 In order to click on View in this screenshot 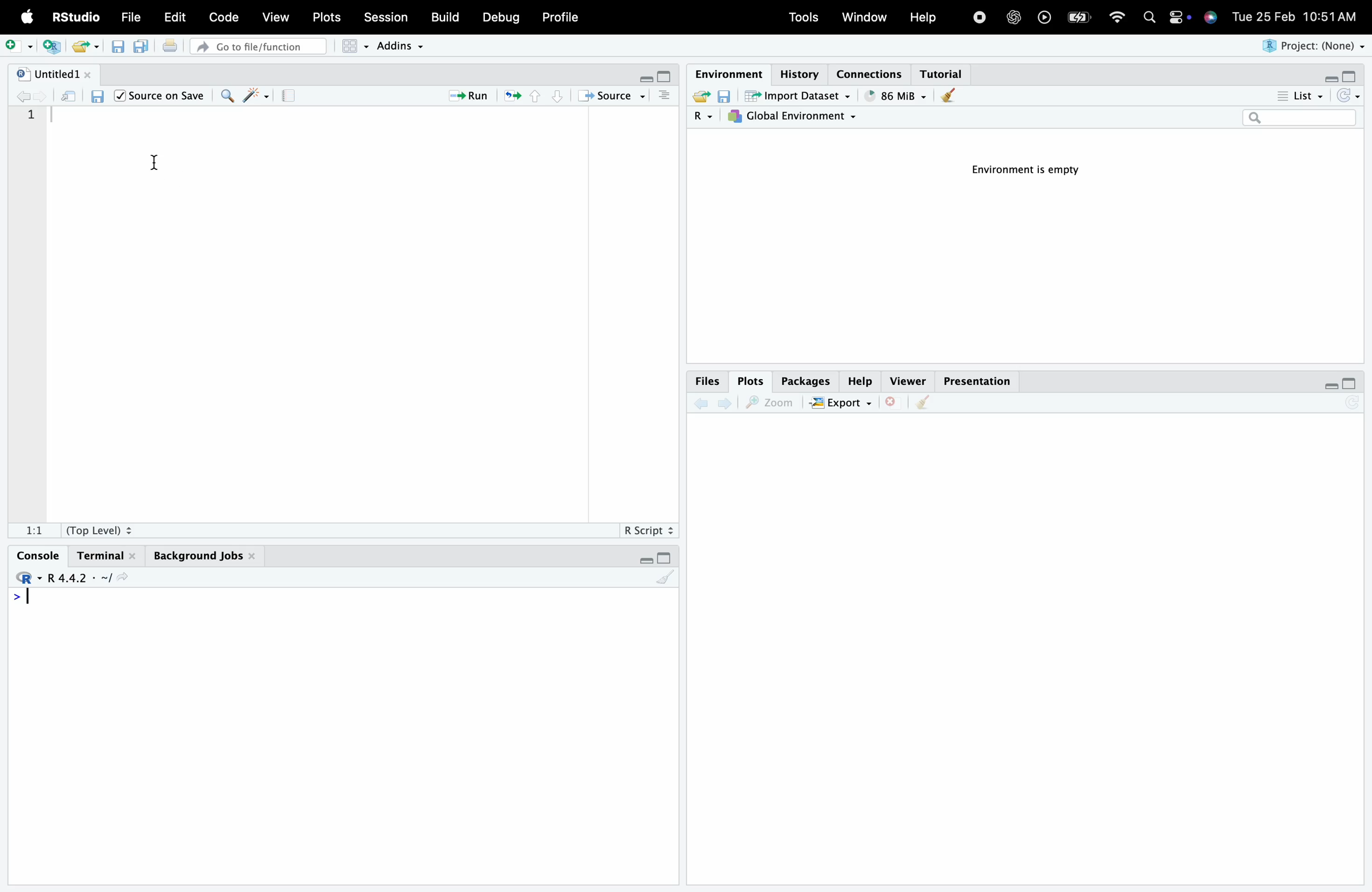, I will do `click(278, 17)`.